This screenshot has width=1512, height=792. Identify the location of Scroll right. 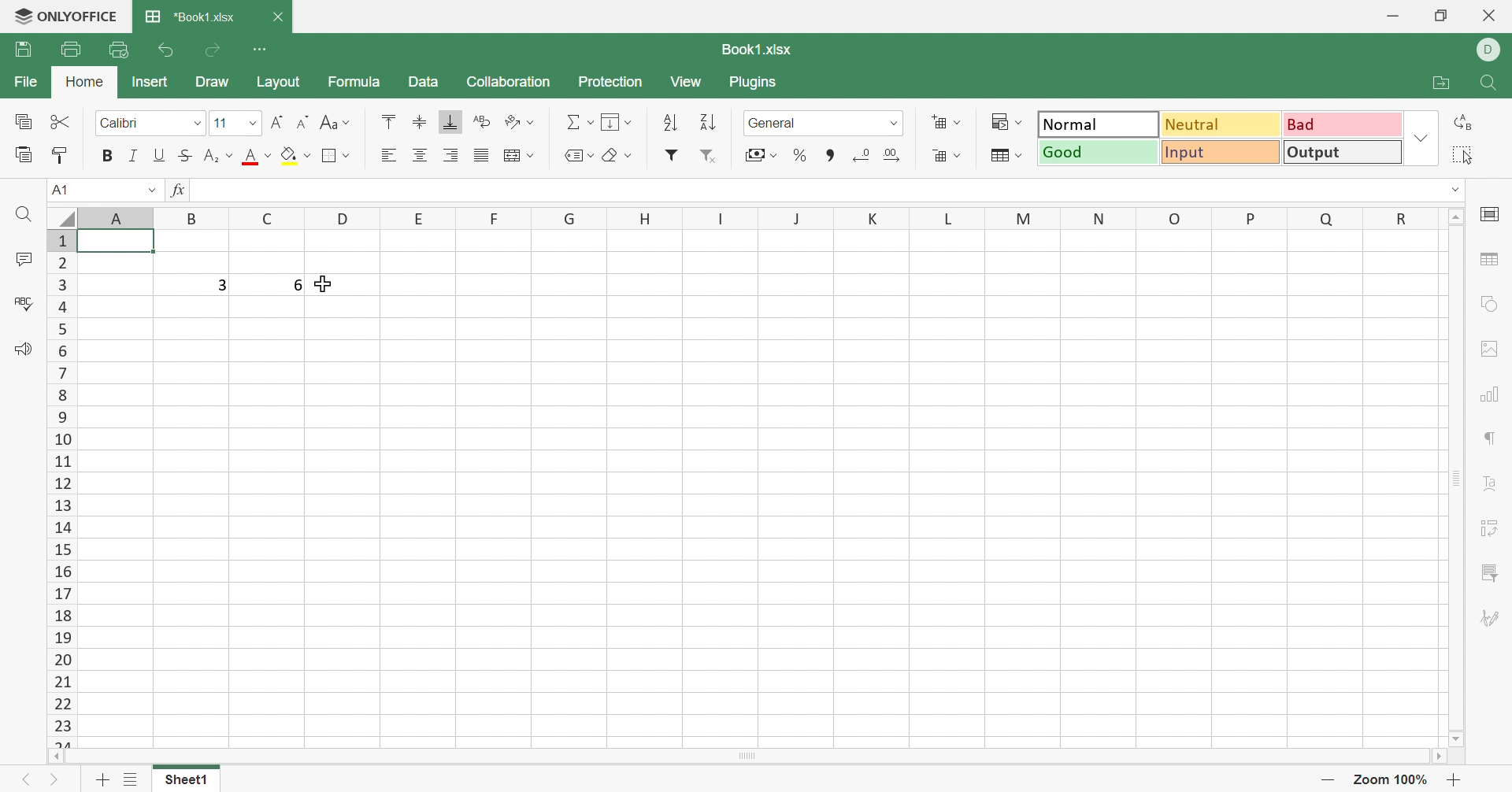
(1437, 757).